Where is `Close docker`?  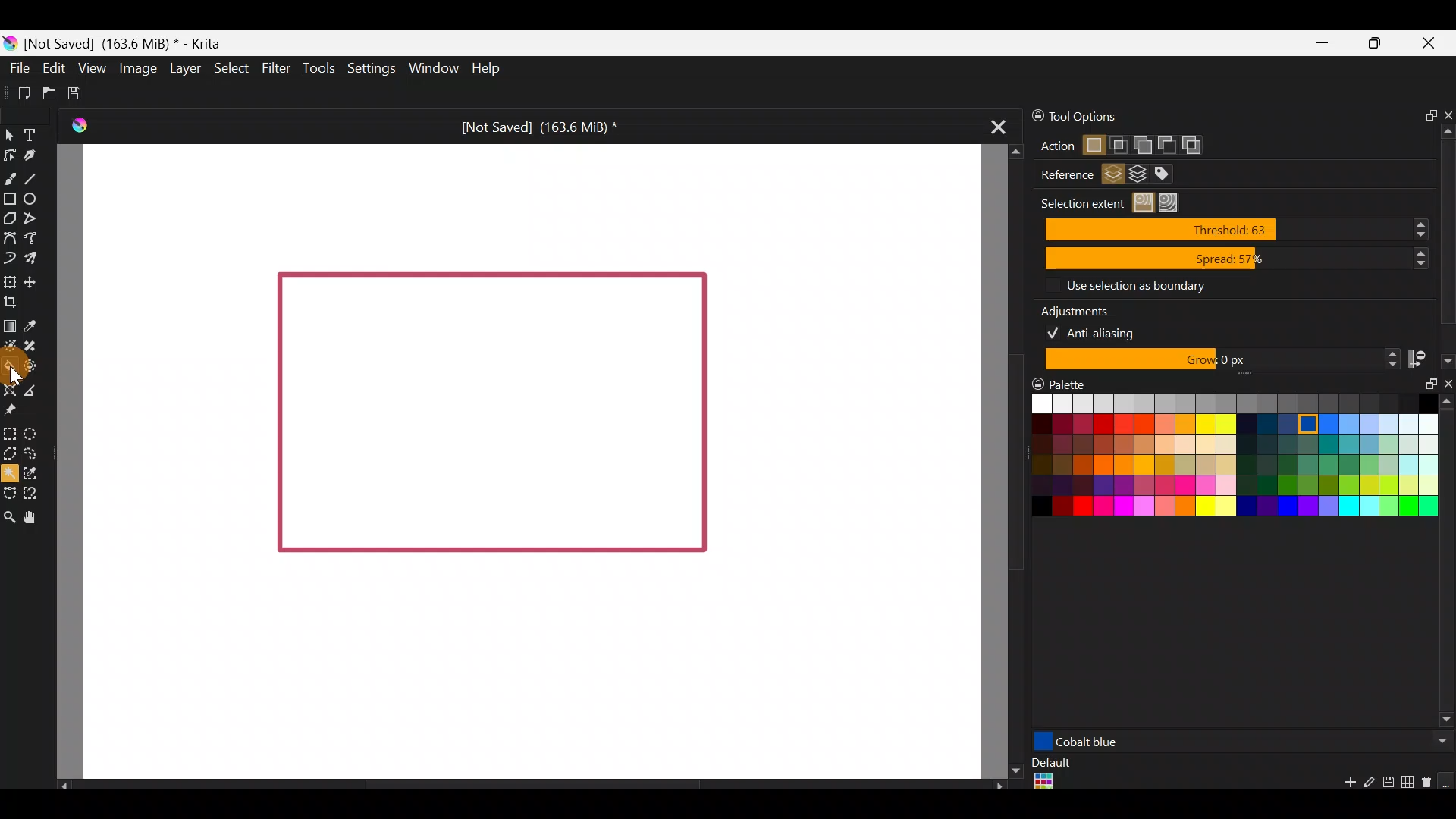 Close docker is located at coordinates (1446, 111).